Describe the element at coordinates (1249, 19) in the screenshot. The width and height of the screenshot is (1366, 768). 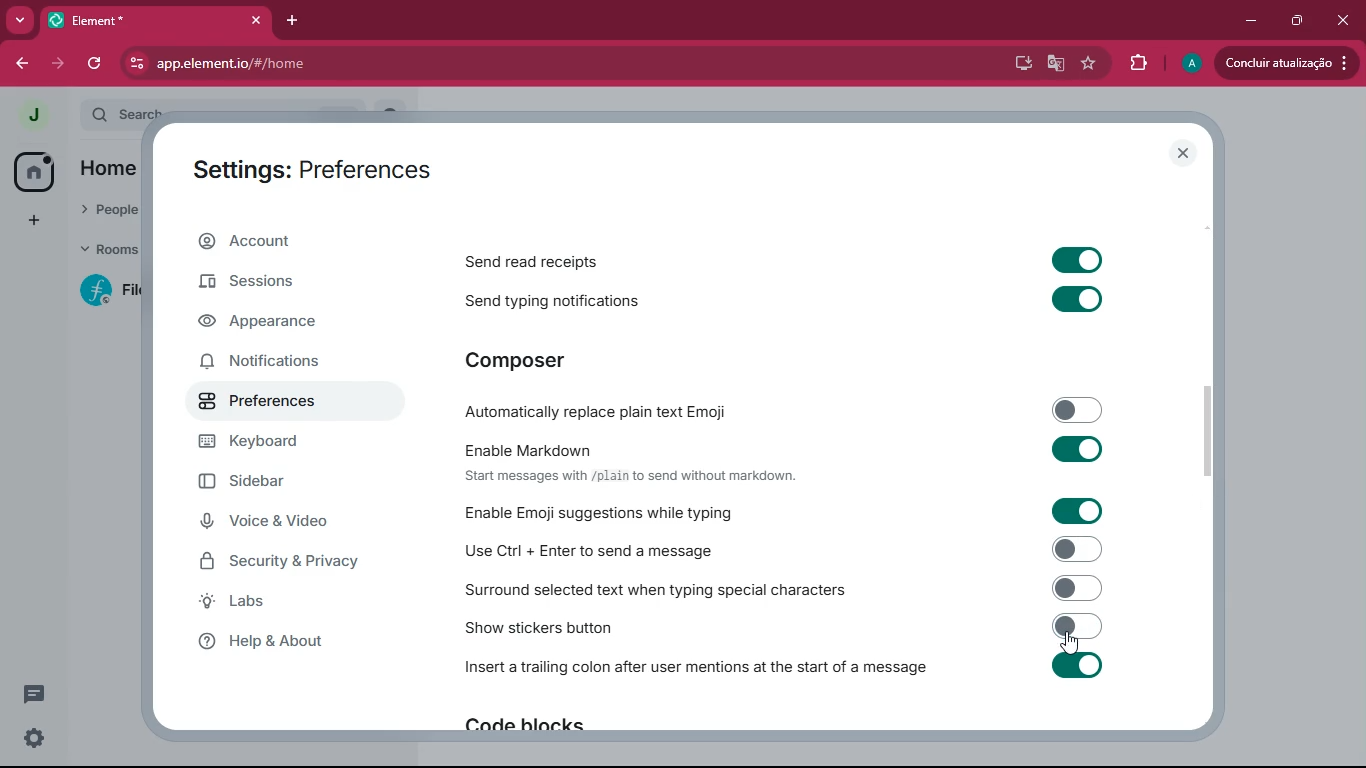
I see `minimize` at that location.